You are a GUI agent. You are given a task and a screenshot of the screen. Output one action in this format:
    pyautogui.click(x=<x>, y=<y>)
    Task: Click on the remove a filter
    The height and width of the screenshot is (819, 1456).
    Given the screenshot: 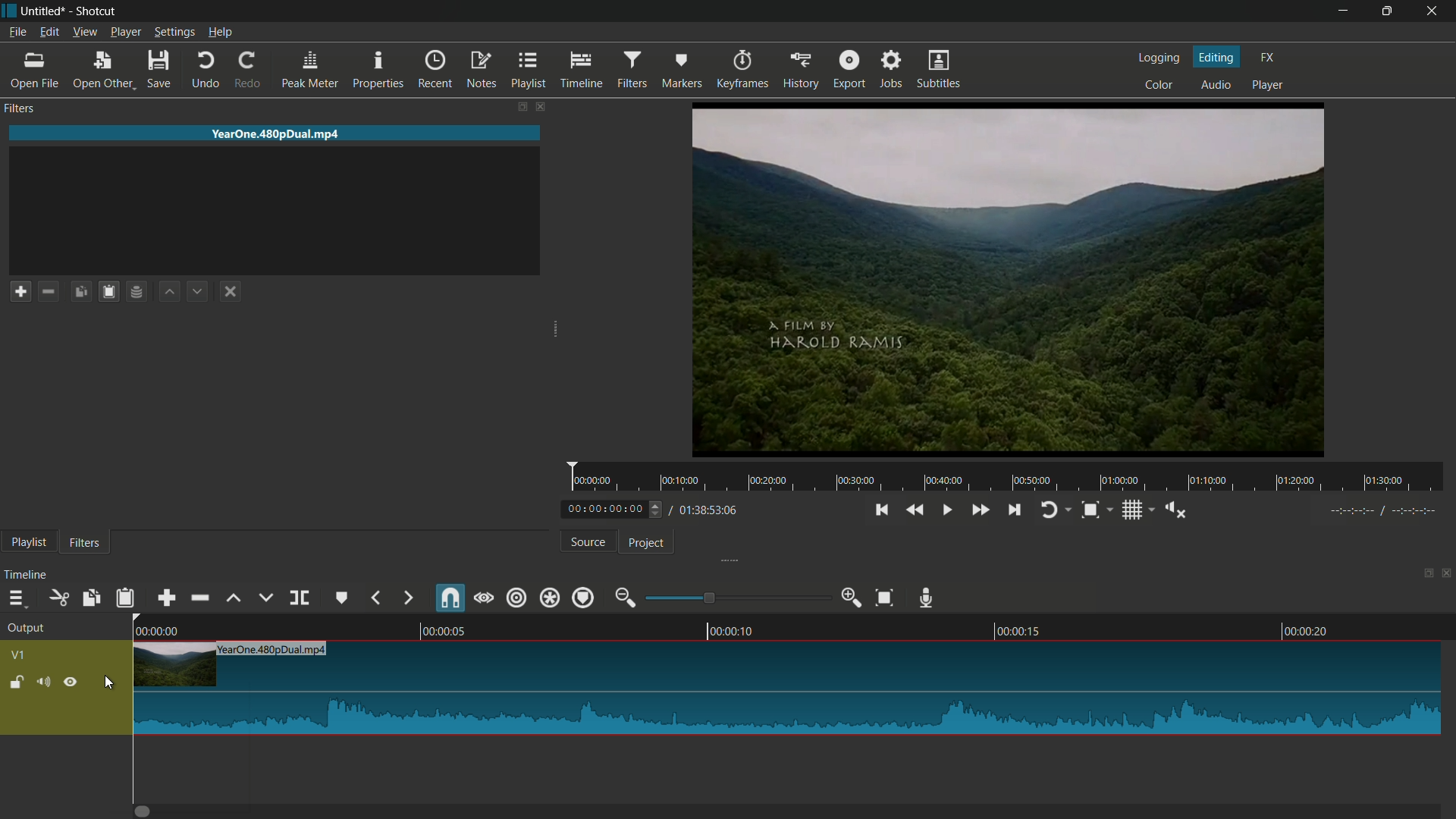 What is the action you would take?
    pyautogui.click(x=49, y=291)
    